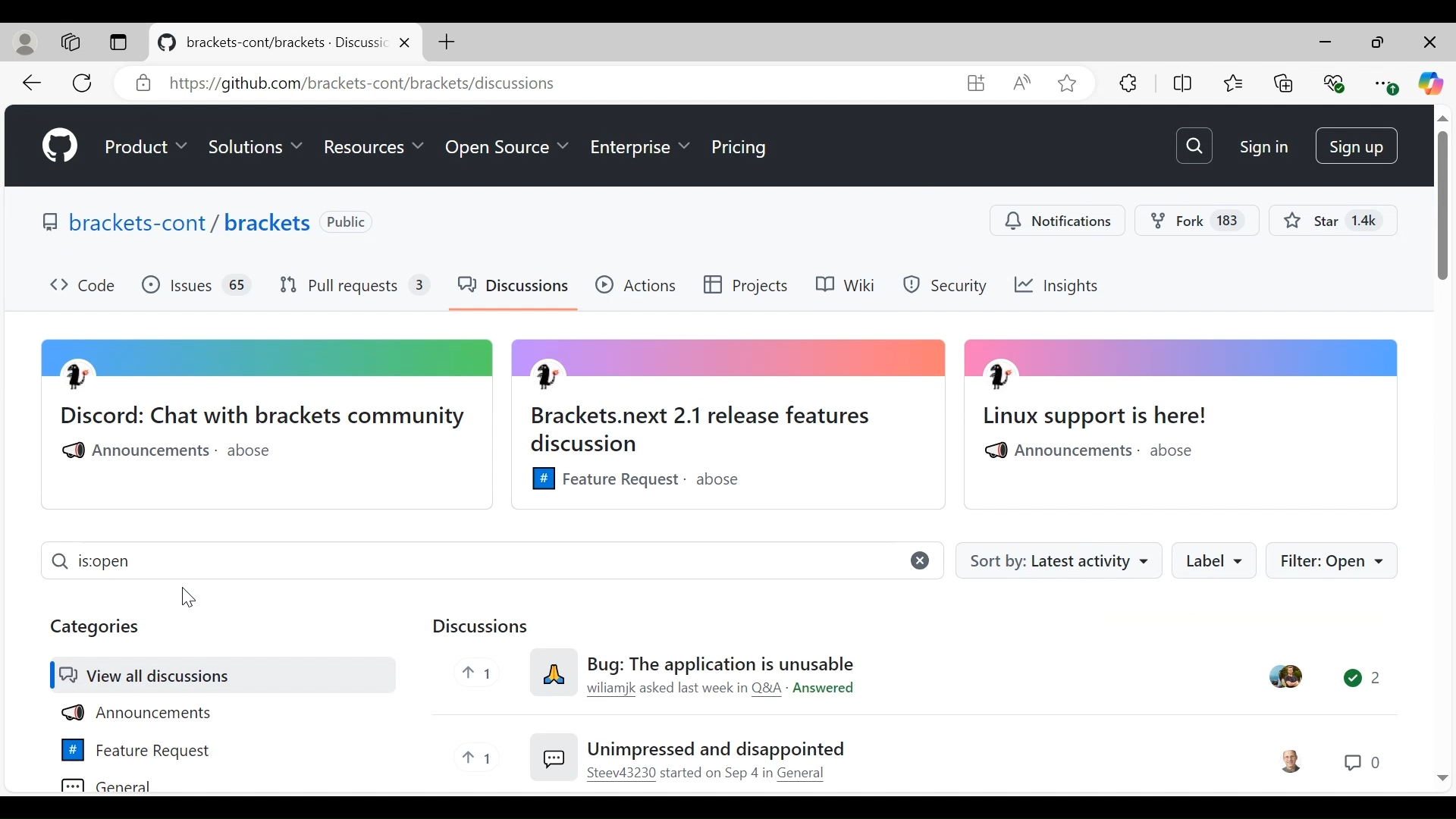  Describe the element at coordinates (165, 43) in the screenshot. I see `logo` at that location.